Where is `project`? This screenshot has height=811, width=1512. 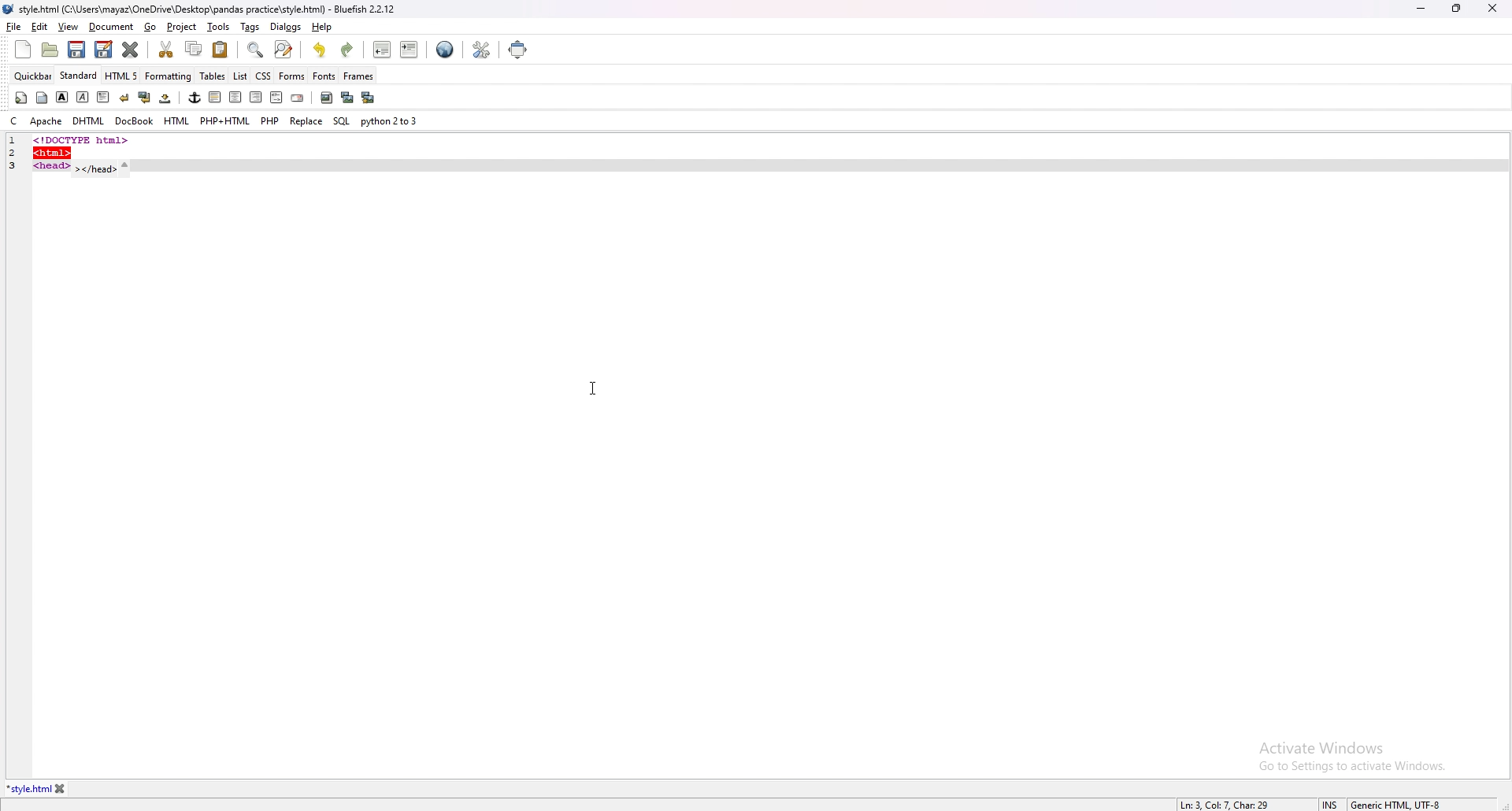 project is located at coordinates (183, 27).